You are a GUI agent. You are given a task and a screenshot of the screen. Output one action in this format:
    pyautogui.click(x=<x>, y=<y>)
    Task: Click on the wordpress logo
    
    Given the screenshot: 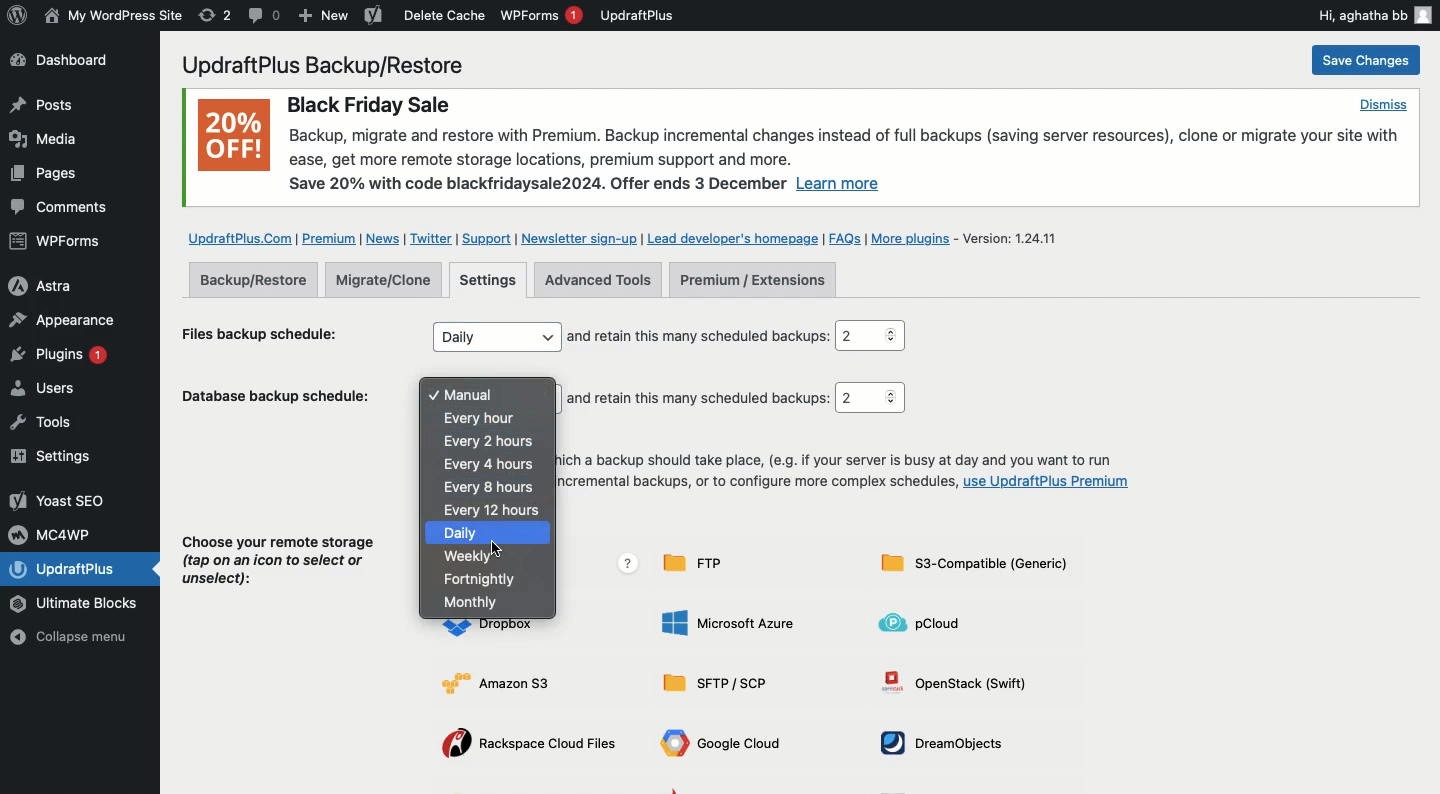 What is the action you would take?
    pyautogui.click(x=17, y=15)
    